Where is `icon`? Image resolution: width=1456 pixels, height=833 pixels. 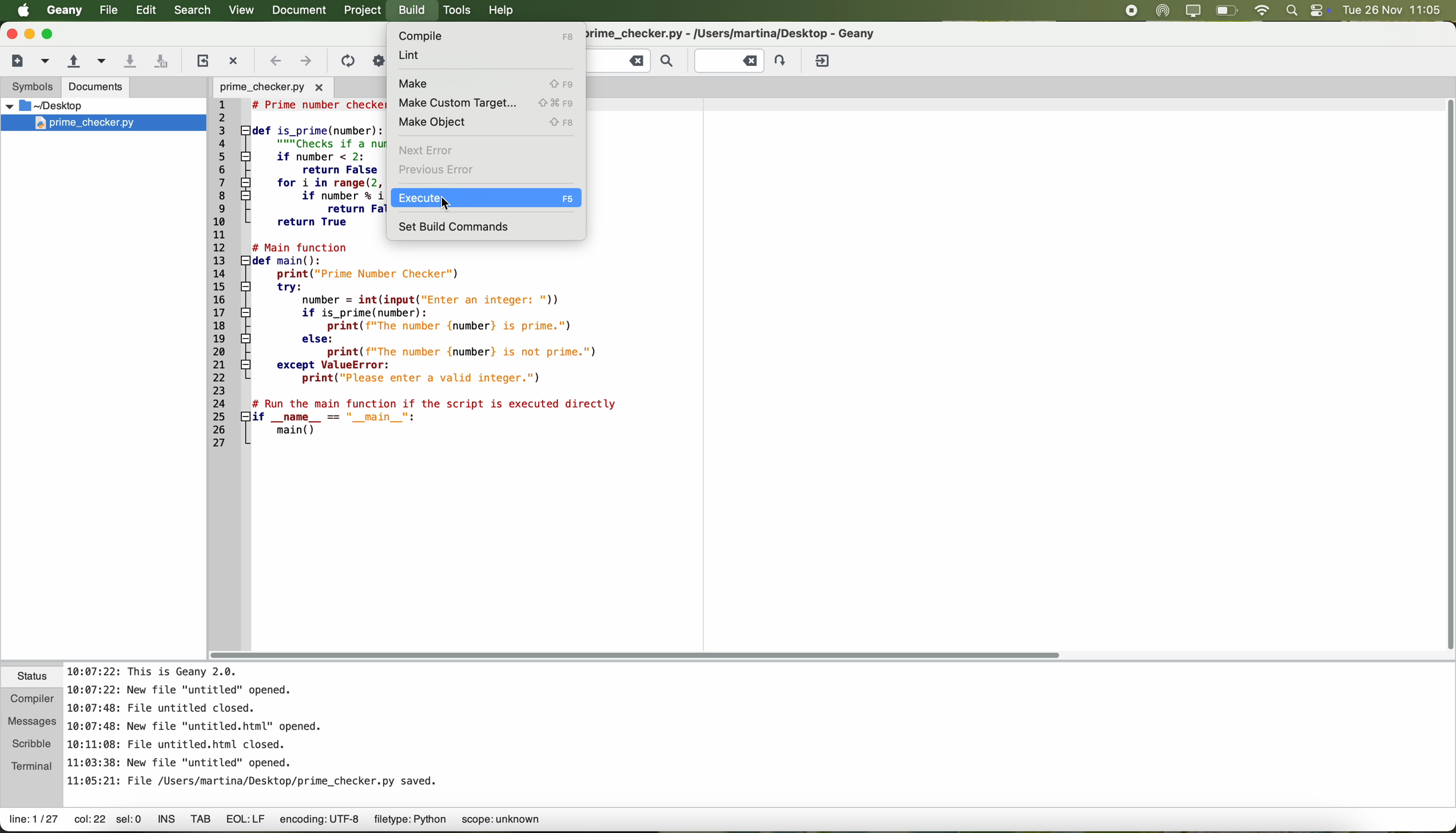
icon is located at coordinates (347, 61).